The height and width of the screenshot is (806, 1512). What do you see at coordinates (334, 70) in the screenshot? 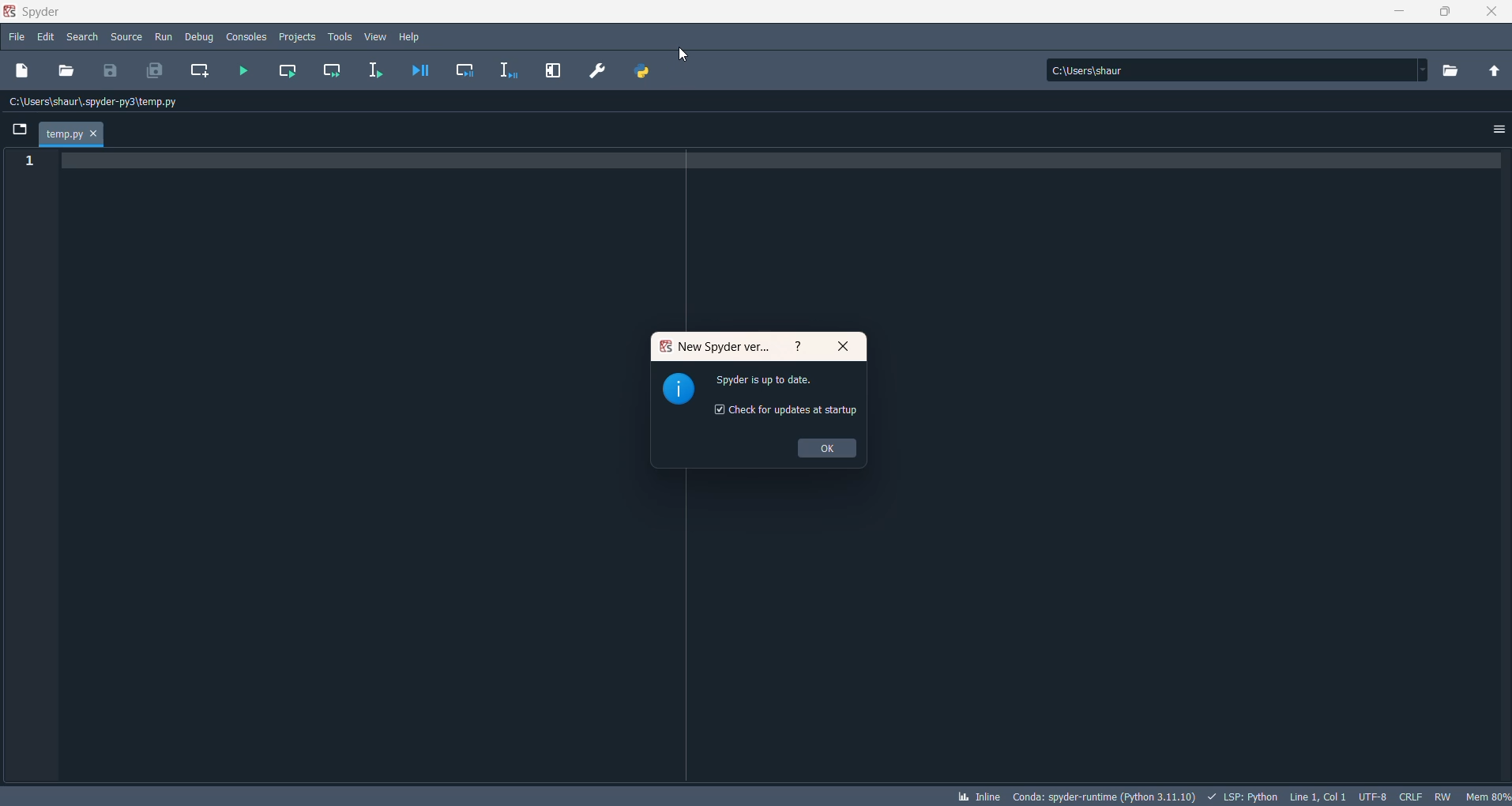
I see `run current cell` at bounding box center [334, 70].